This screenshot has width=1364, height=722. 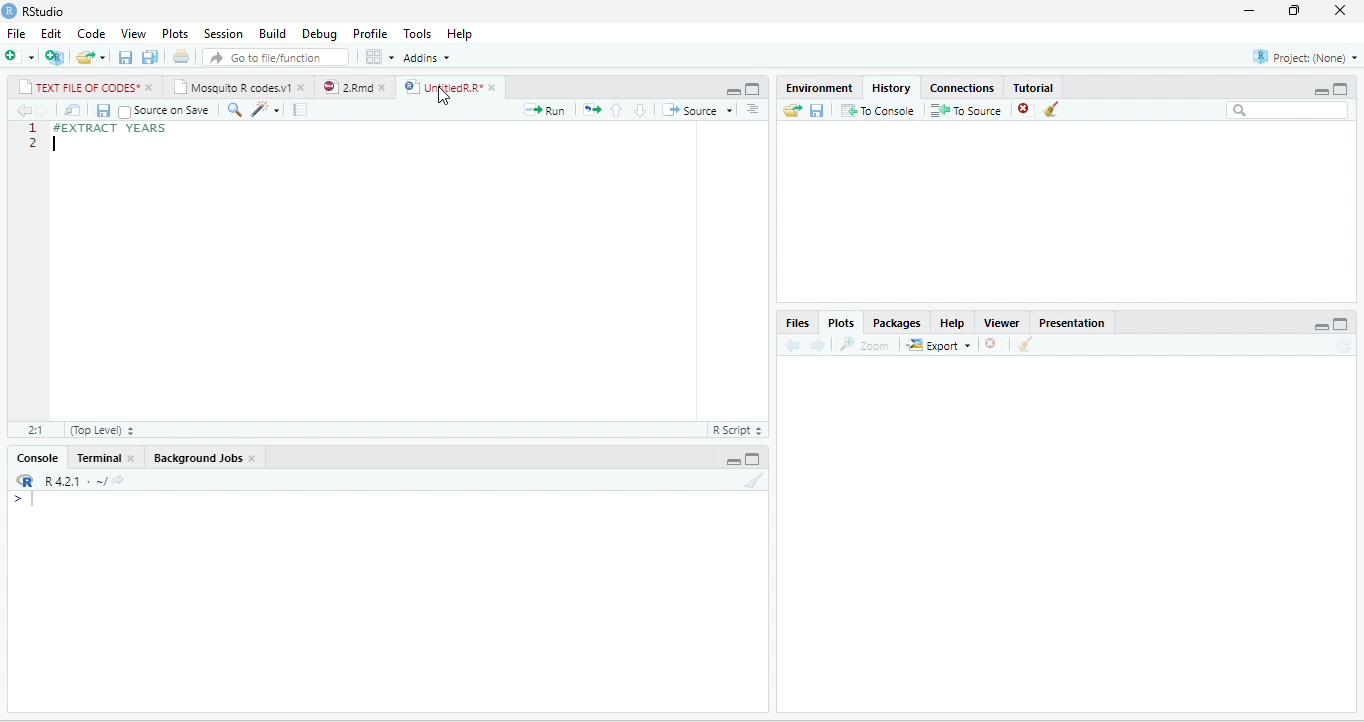 I want to click on line numbering, so click(x=32, y=135).